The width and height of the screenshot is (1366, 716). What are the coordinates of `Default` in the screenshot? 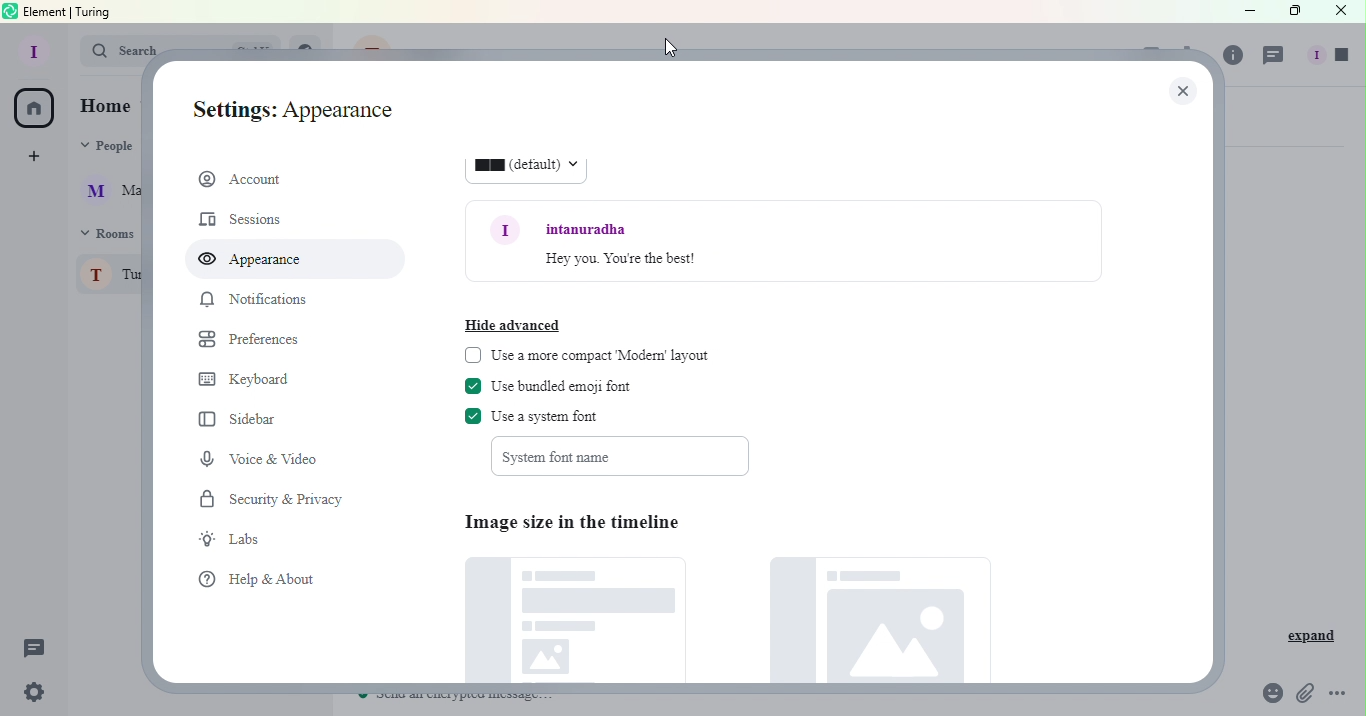 It's located at (581, 618).